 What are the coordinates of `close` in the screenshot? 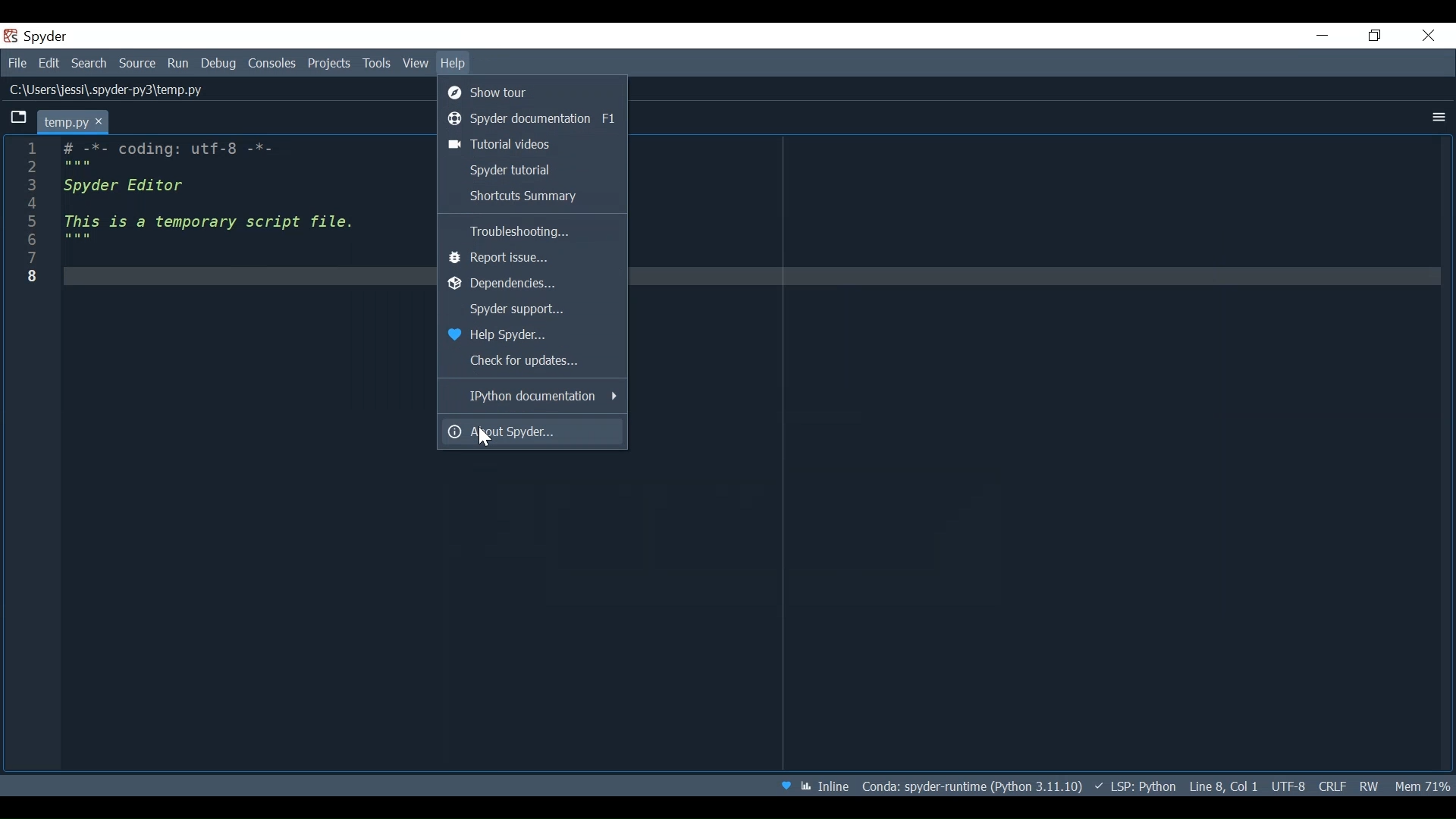 It's located at (105, 121).